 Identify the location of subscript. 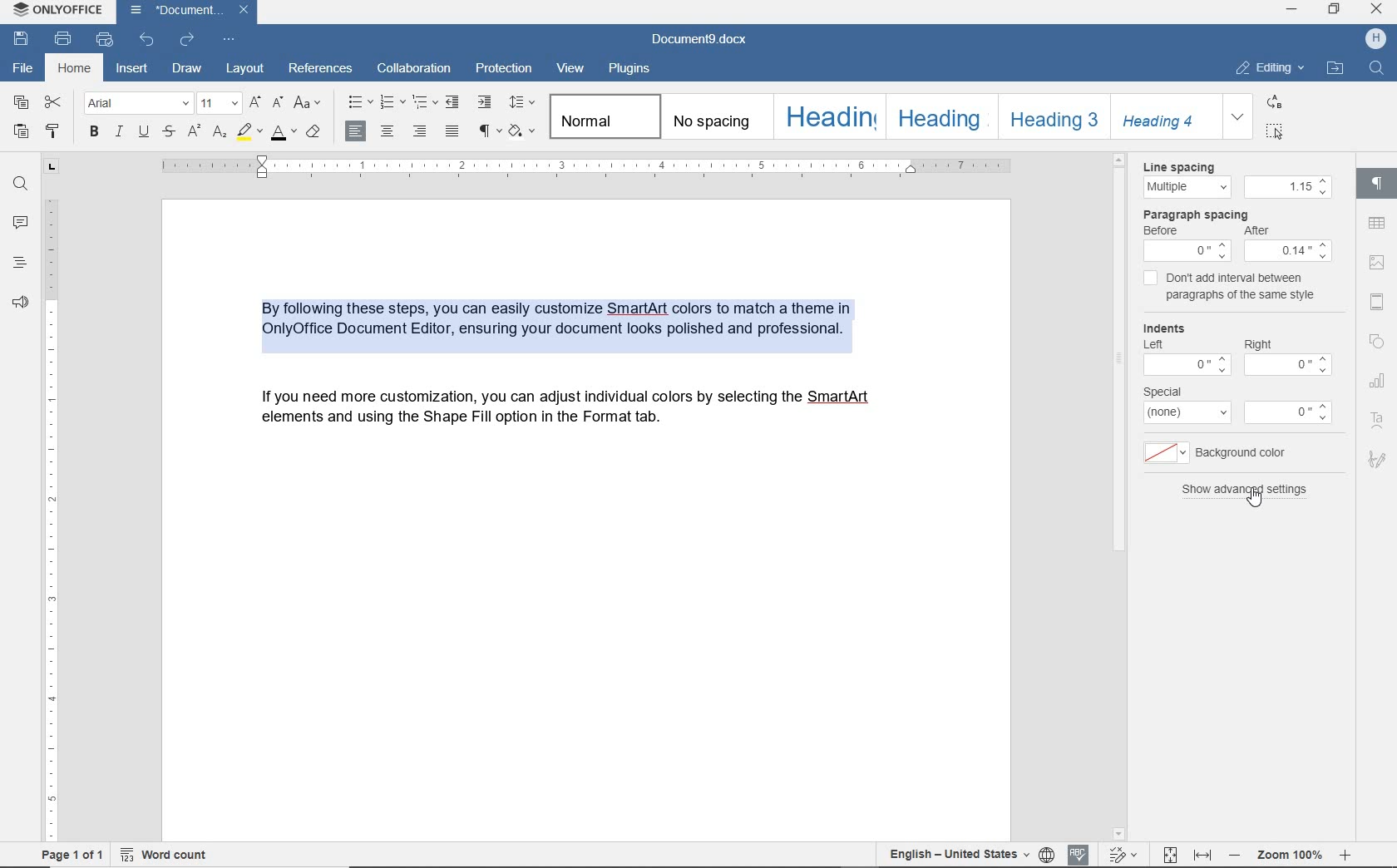
(220, 133).